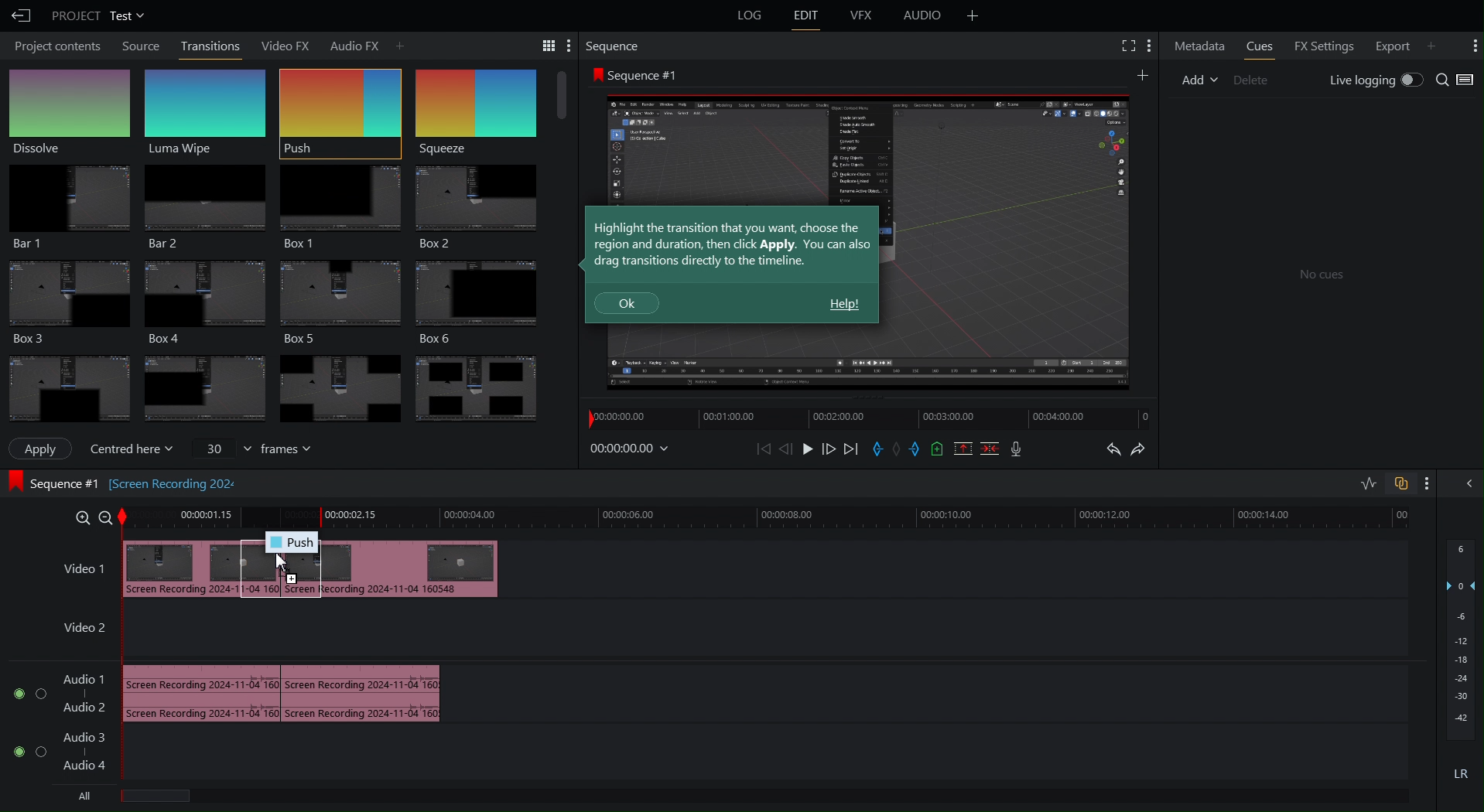 This screenshot has width=1484, height=812. What do you see at coordinates (398, 44) in the screenshot?
I see `Add` at bounding box center [398, 44].